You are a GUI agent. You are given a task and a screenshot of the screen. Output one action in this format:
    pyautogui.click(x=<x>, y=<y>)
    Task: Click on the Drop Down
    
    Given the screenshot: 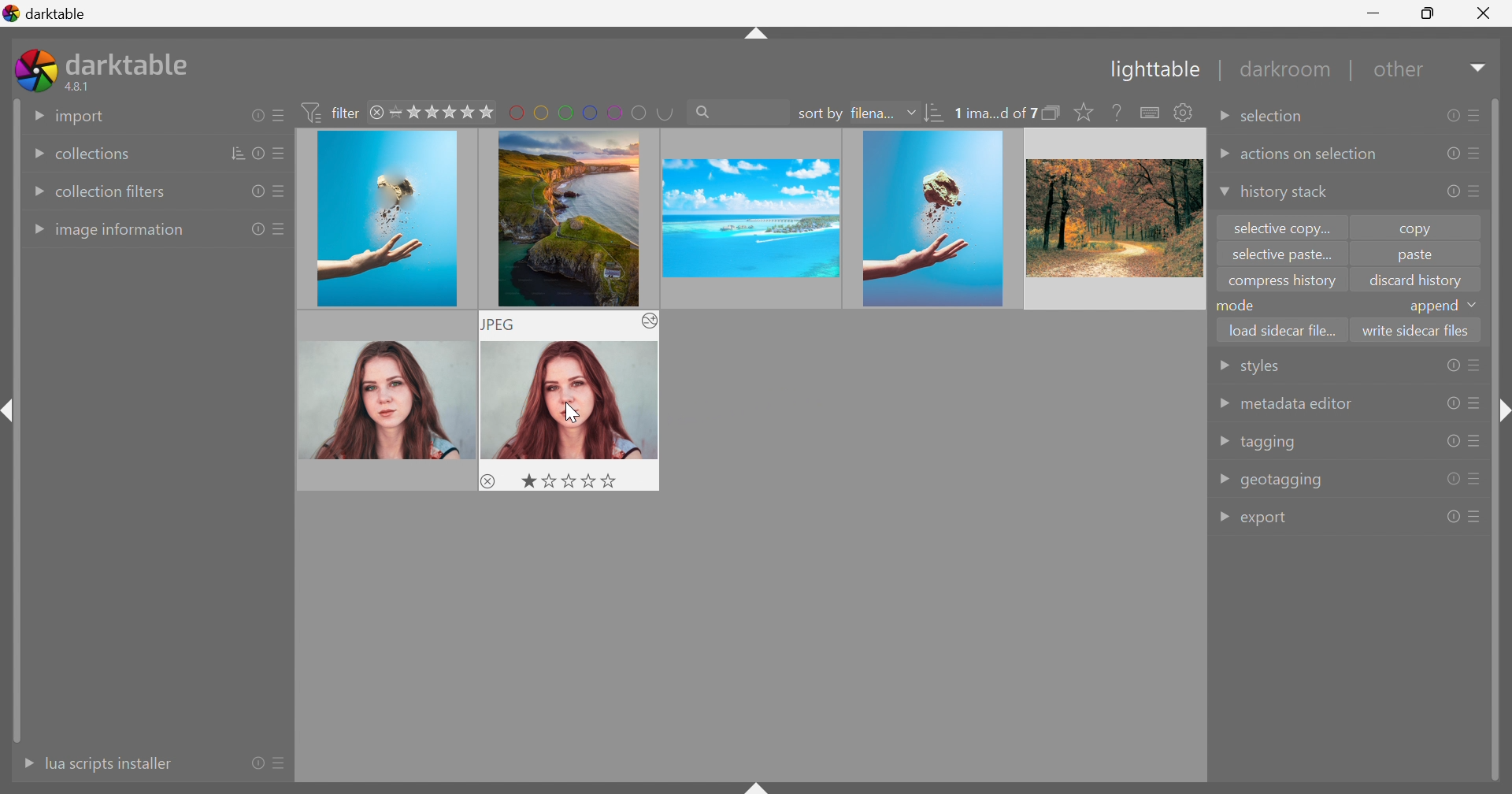 What is the action you would take?
    pyautogui.click(x=1480, y=67)
    